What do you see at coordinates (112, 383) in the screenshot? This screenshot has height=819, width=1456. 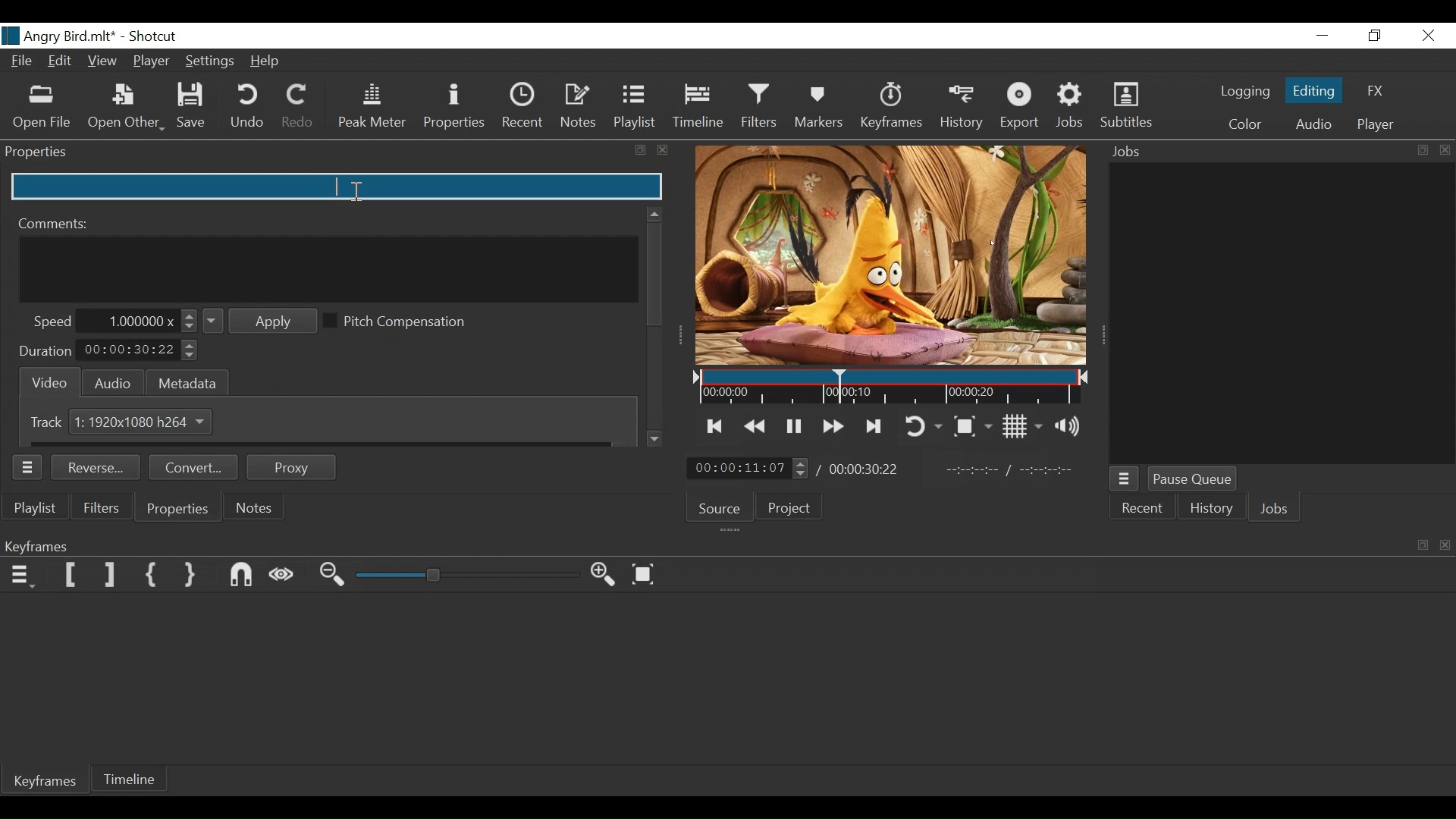 I see `Audio` at bounding box center [112, 383].